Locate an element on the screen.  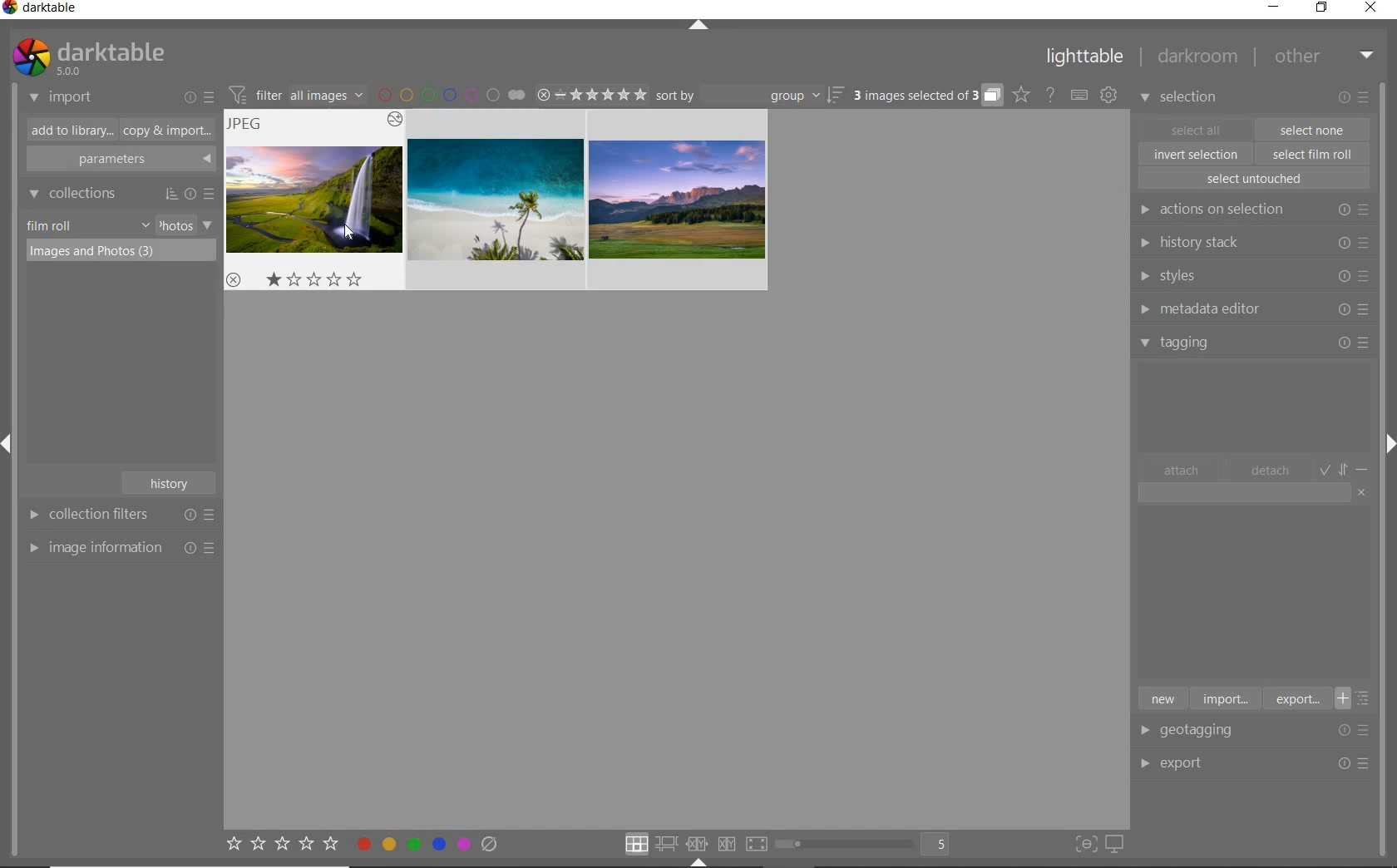
darkroom is located at coordinates (1198, 59).